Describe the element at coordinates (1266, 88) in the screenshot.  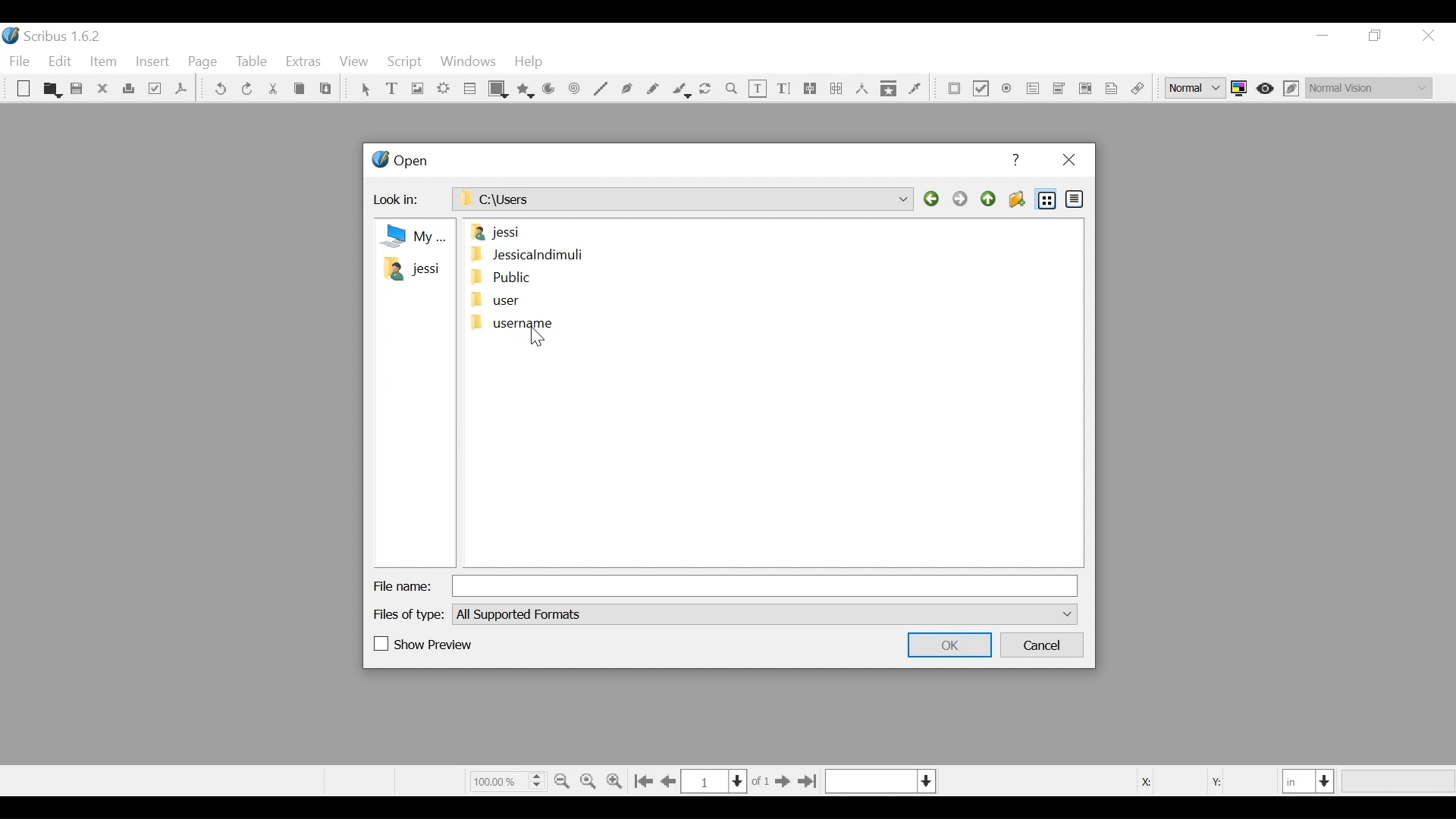
I see `Toggle focus` at that location.